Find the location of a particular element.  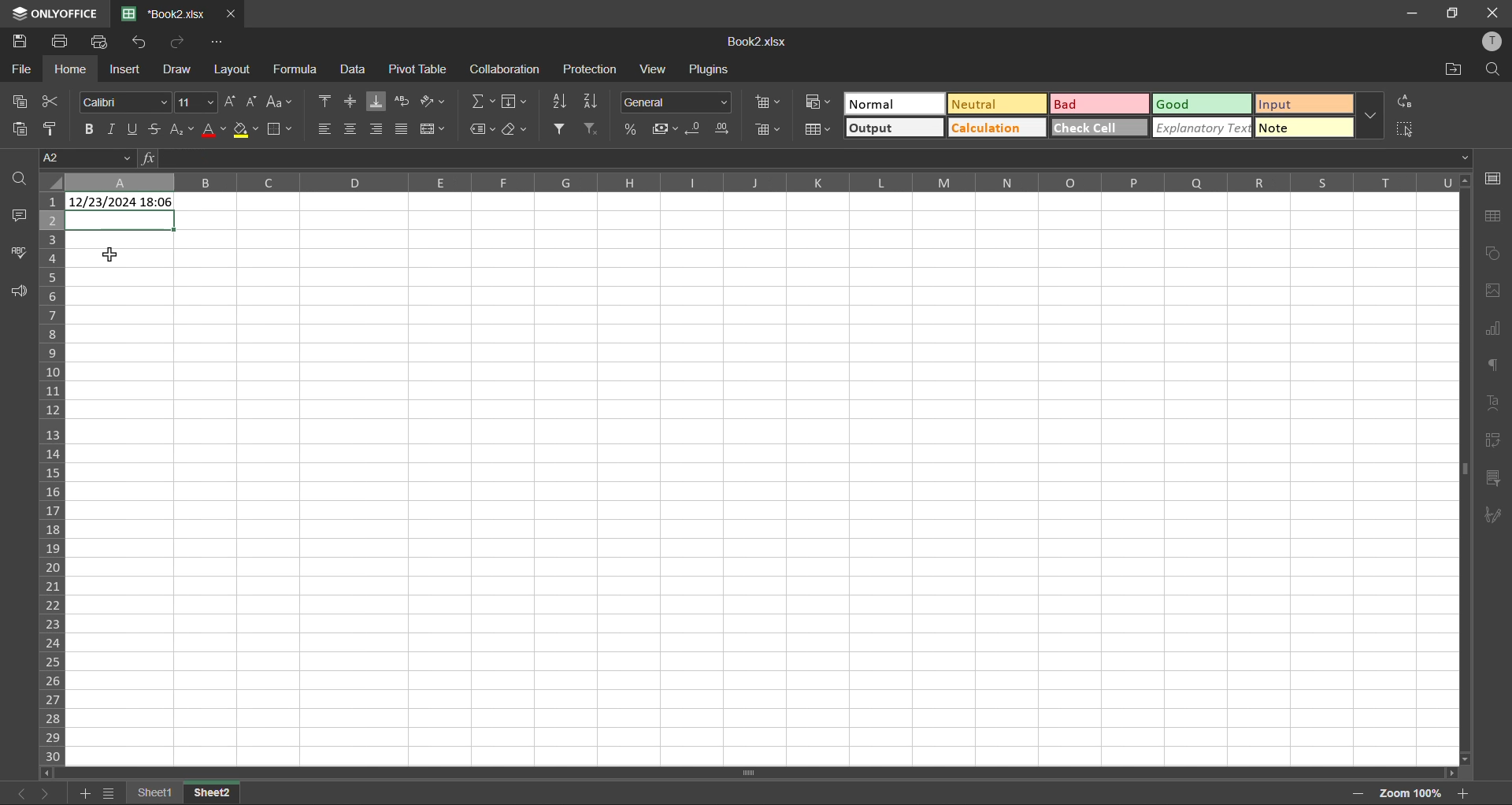

images is located at coordinates (1493, 291).